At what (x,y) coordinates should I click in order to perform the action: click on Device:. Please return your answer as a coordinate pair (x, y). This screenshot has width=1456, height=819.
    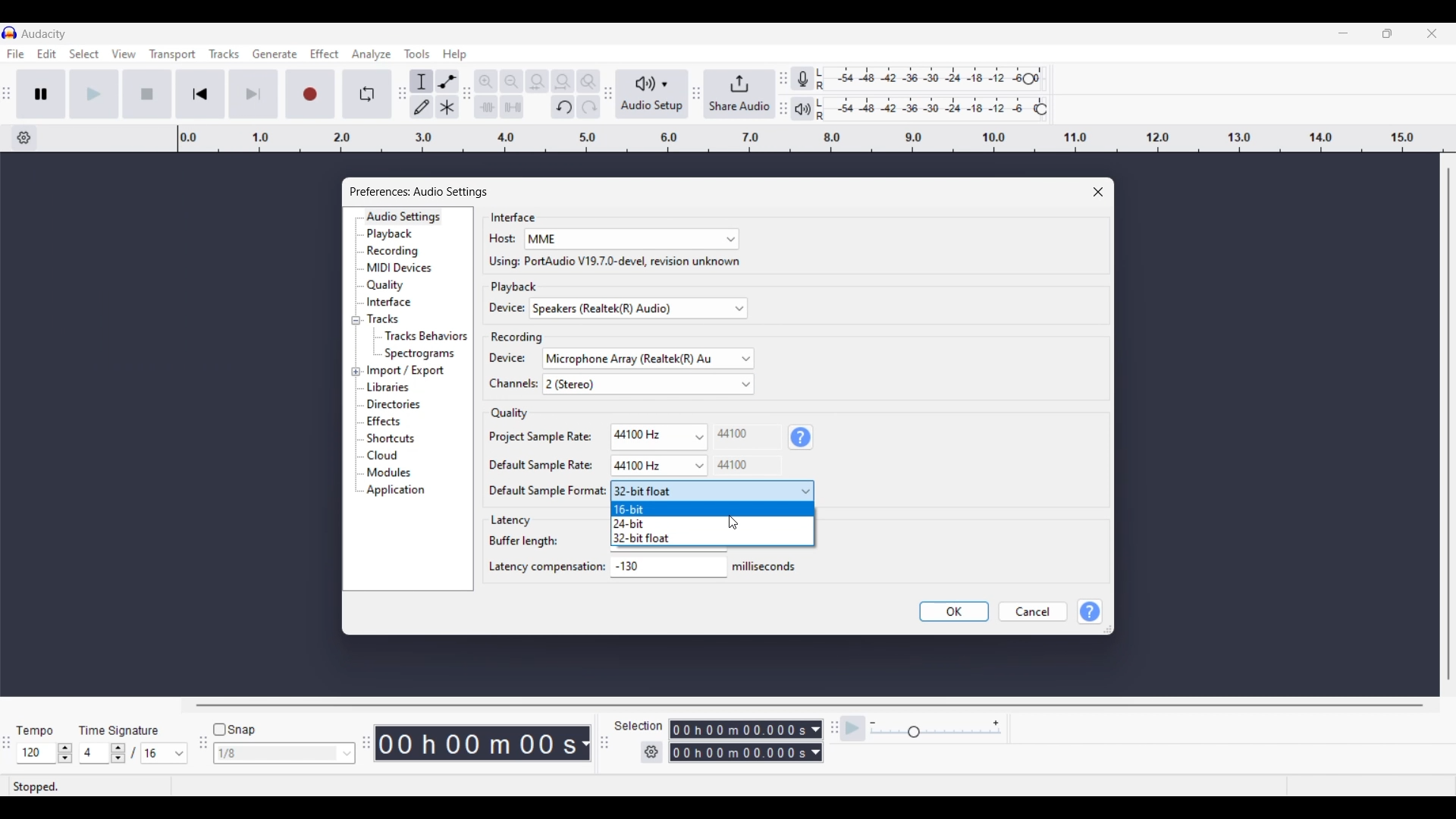
    Looking at the image, I should click on (503, 359).